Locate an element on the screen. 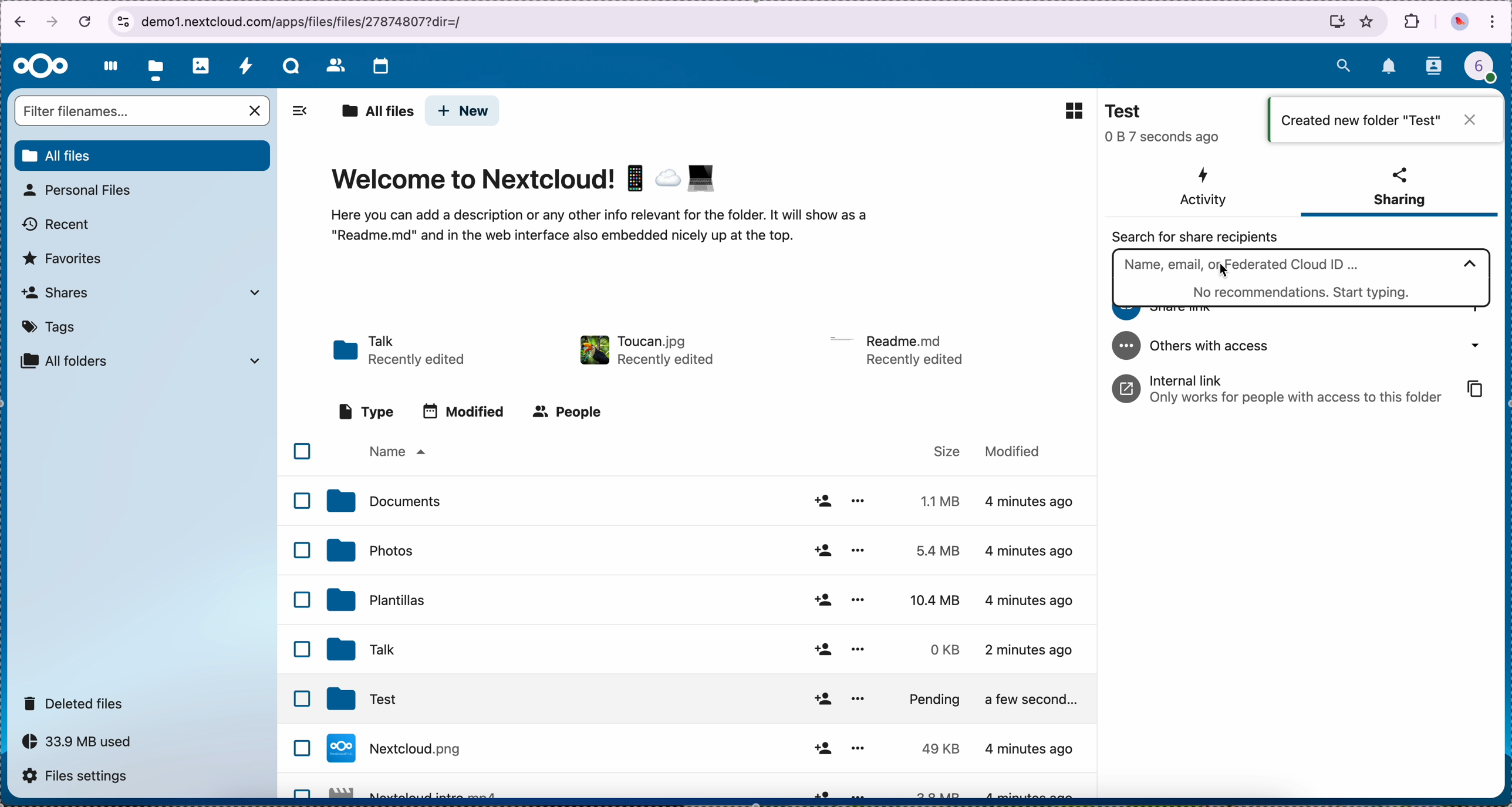 This screenshot has height=807, width=1512. grid view is located at coordinates (1068, 110).